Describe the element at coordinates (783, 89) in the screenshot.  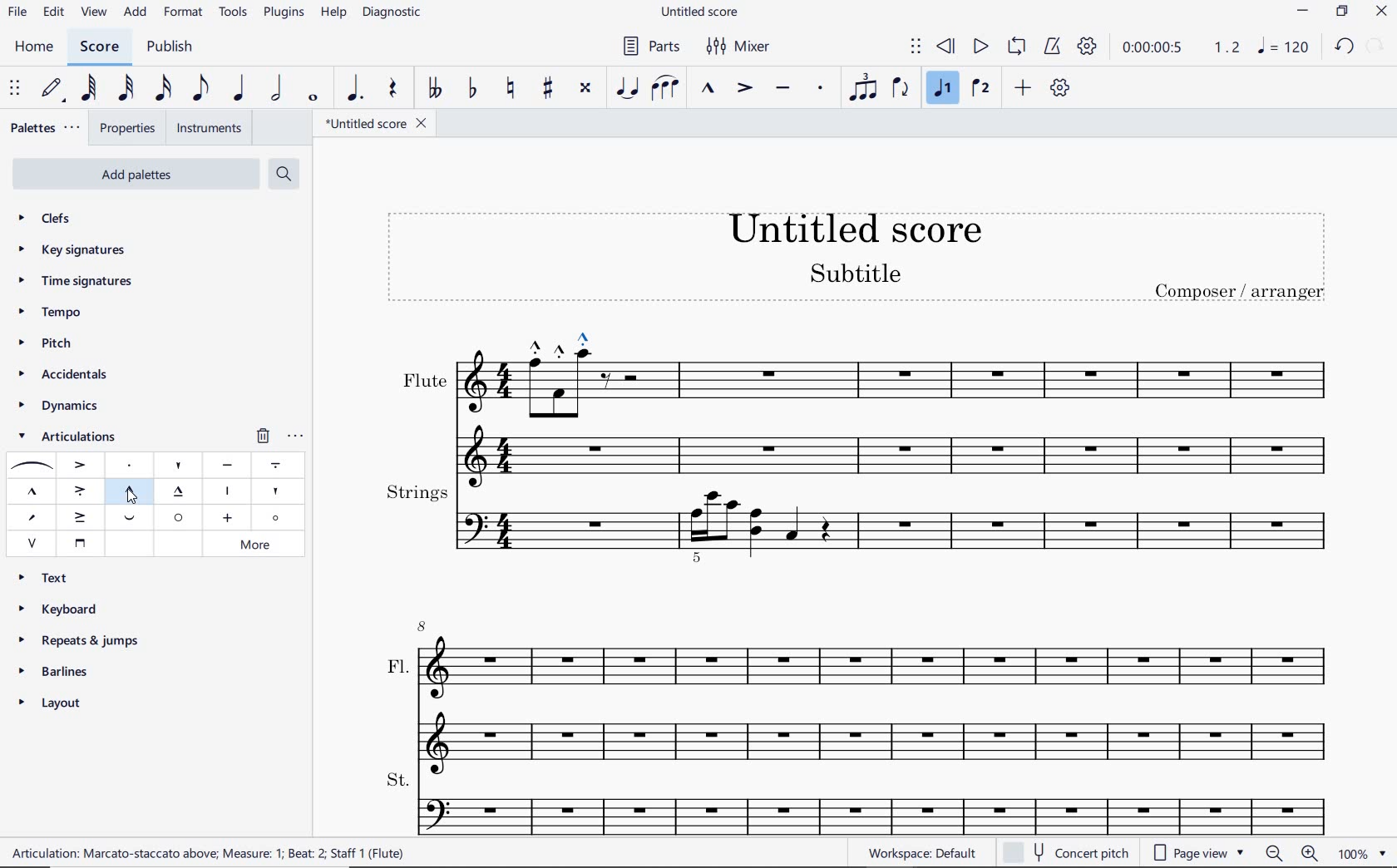
I see `TENUTO` at that location.